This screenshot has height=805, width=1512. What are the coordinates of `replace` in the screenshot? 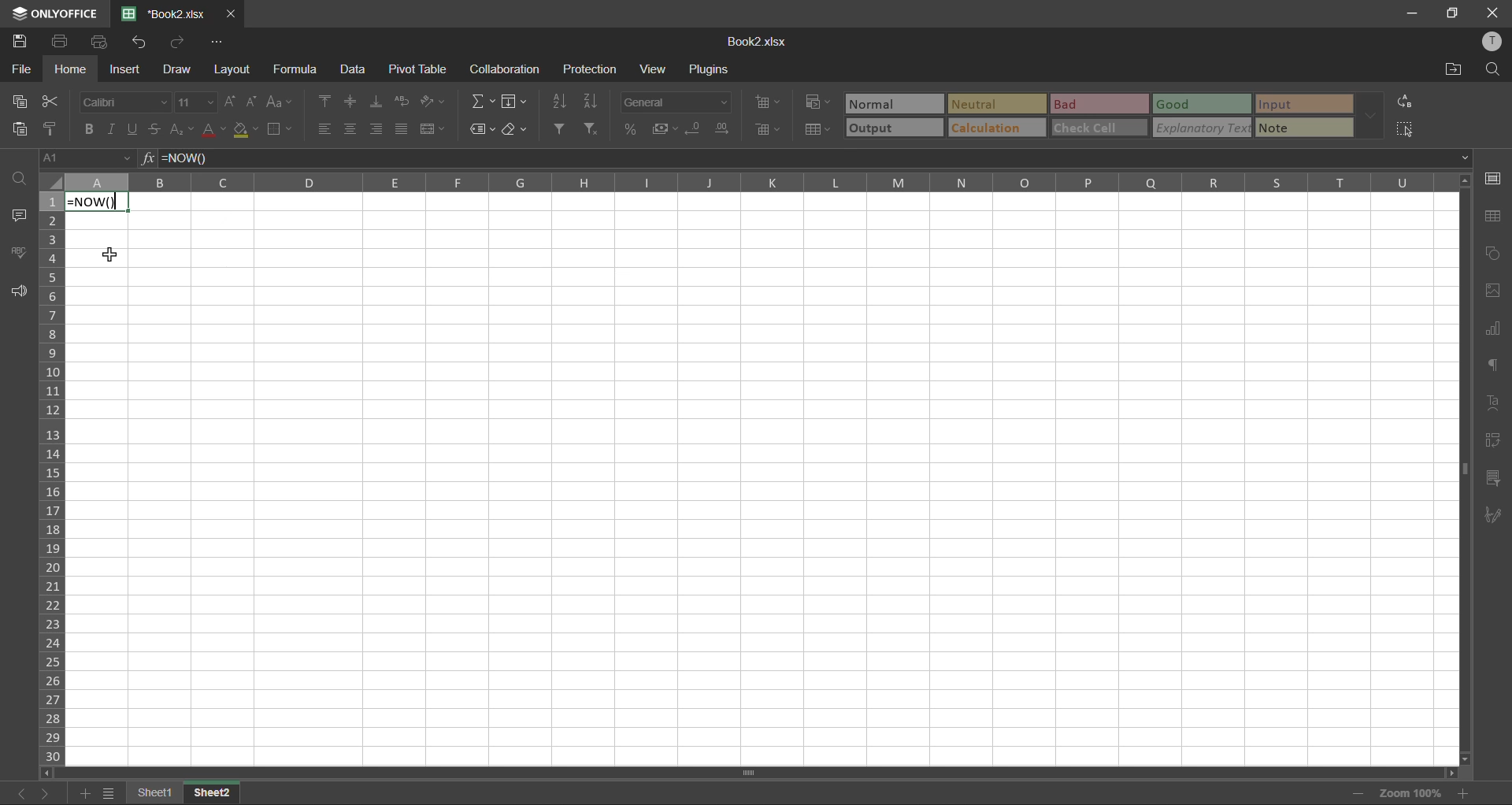 It's located at (1405, 103).